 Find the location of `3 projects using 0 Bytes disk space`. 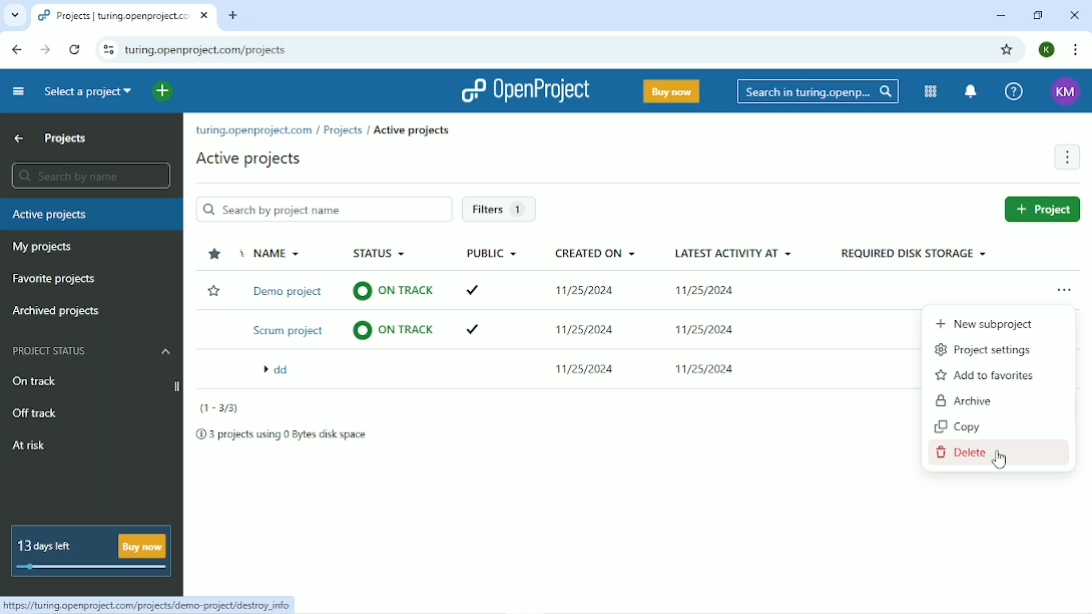

3 projects using 0 Bytes disk space is located at coordinates (281, 434).